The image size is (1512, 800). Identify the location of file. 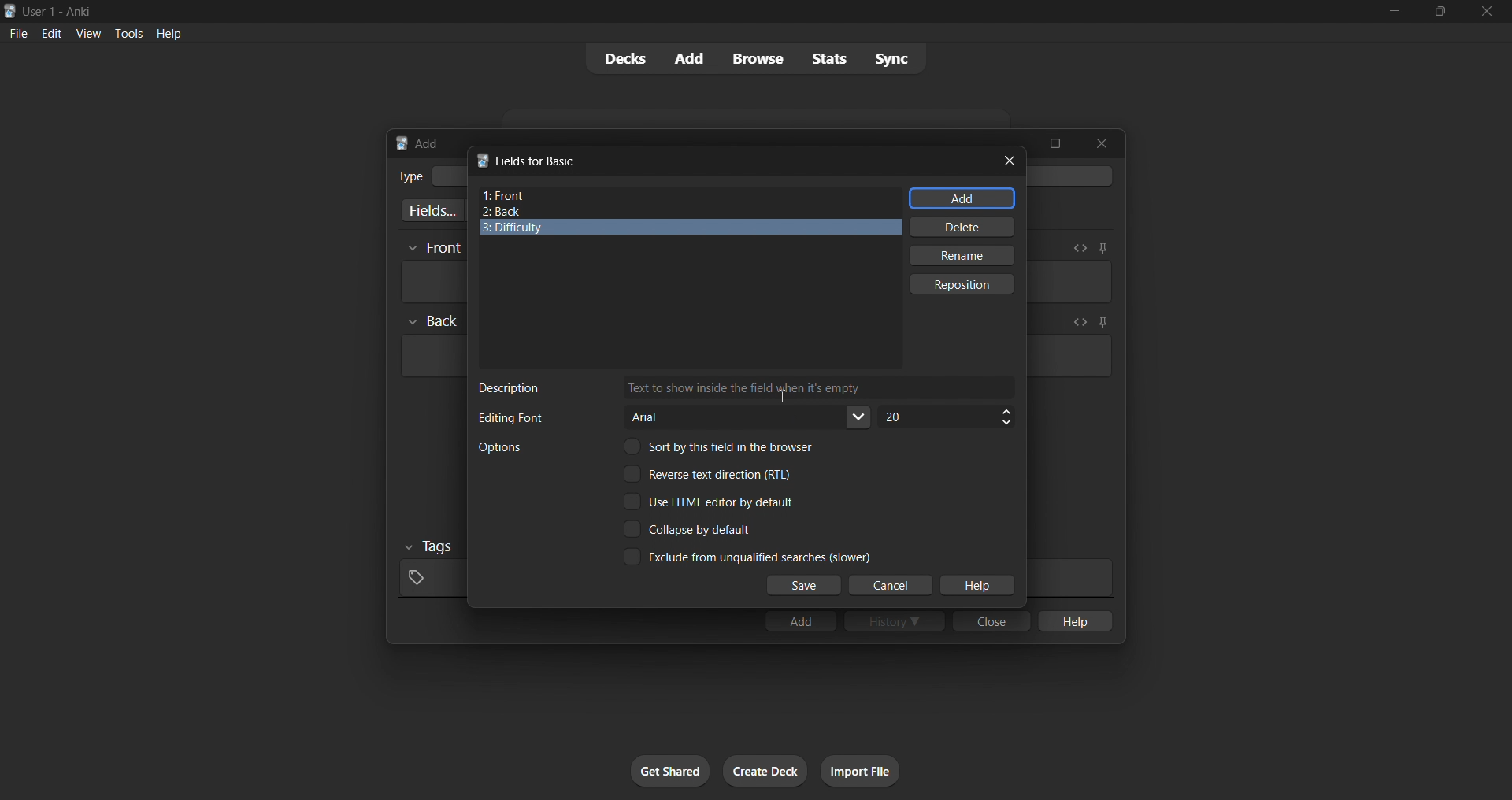
(18, 32).